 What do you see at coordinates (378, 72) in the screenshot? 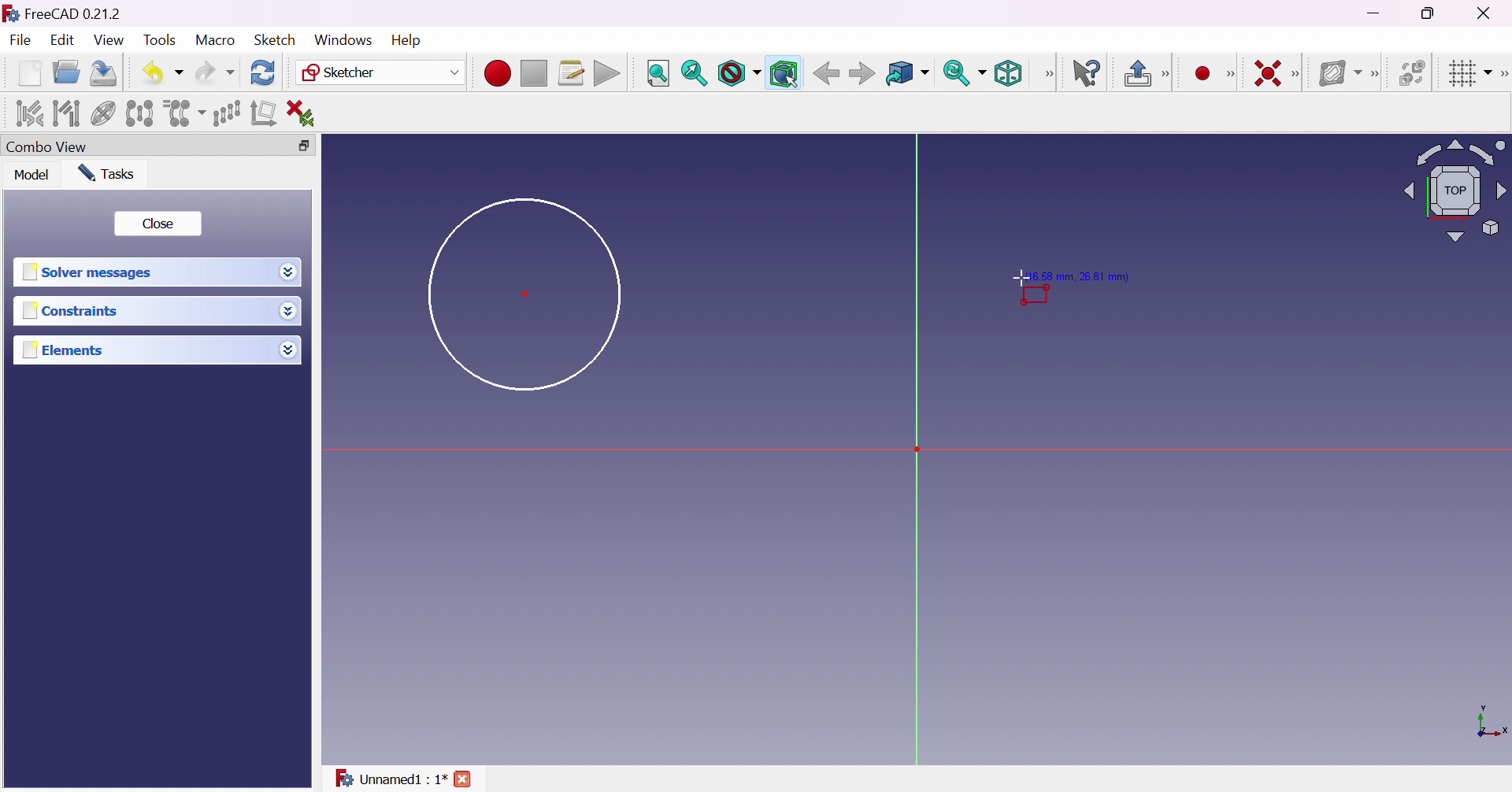
I see `Sketcher` at bounding box center [378, 72].